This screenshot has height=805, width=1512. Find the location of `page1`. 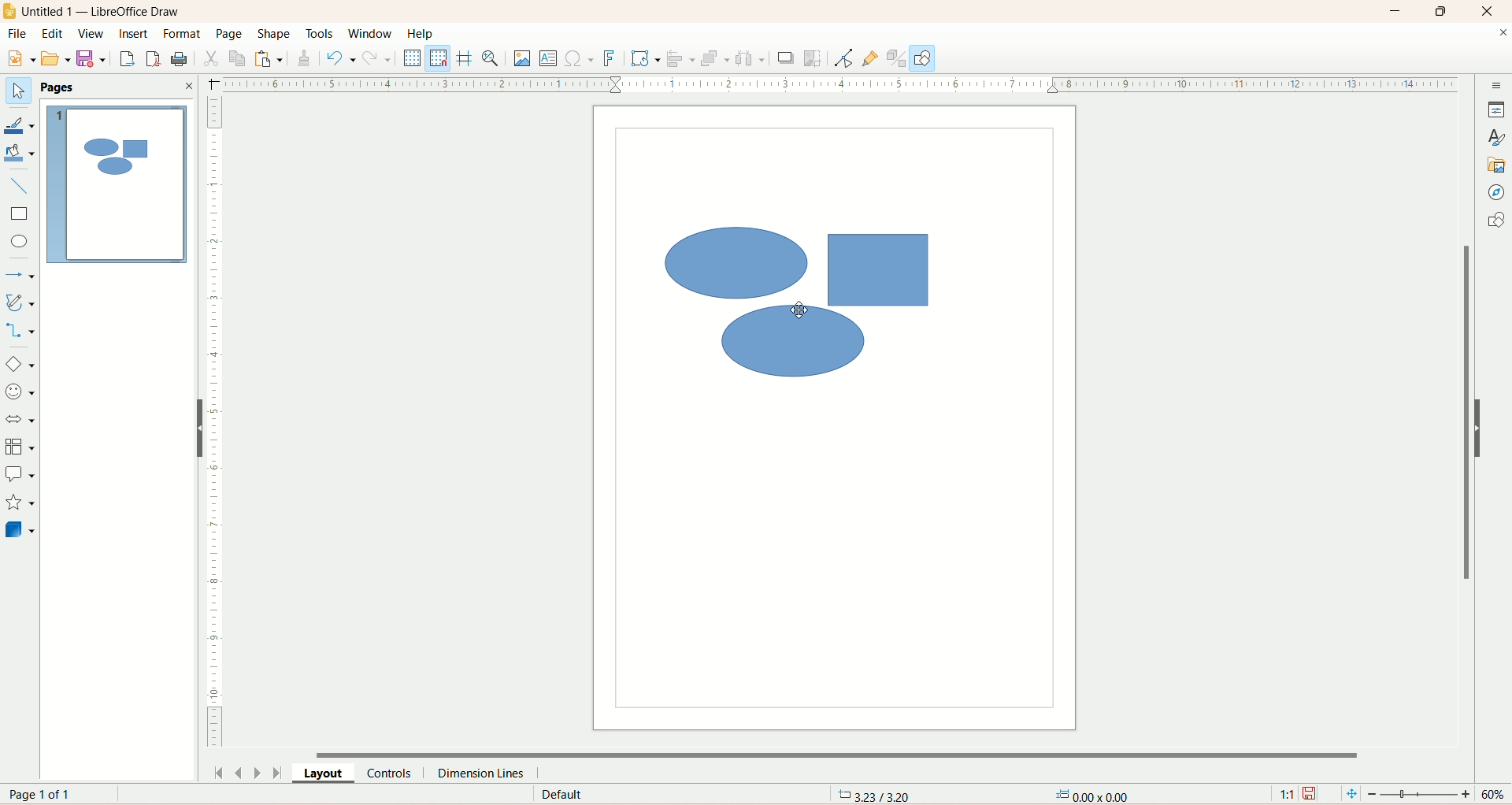

page1 is located at coordinates (118, 185).